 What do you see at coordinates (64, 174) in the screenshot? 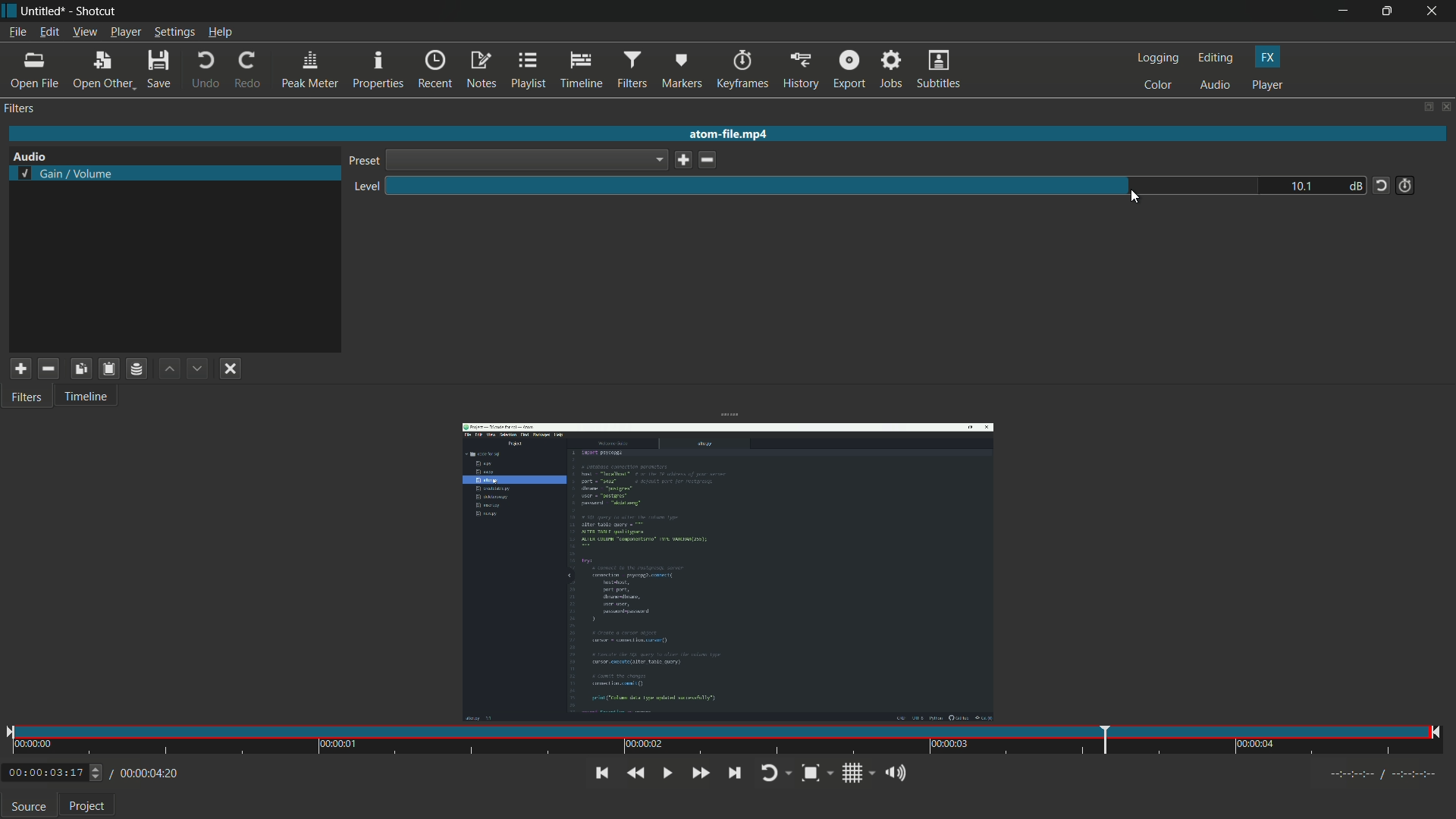
I see `selected gain volume filter` at bounding box center [64, 174].